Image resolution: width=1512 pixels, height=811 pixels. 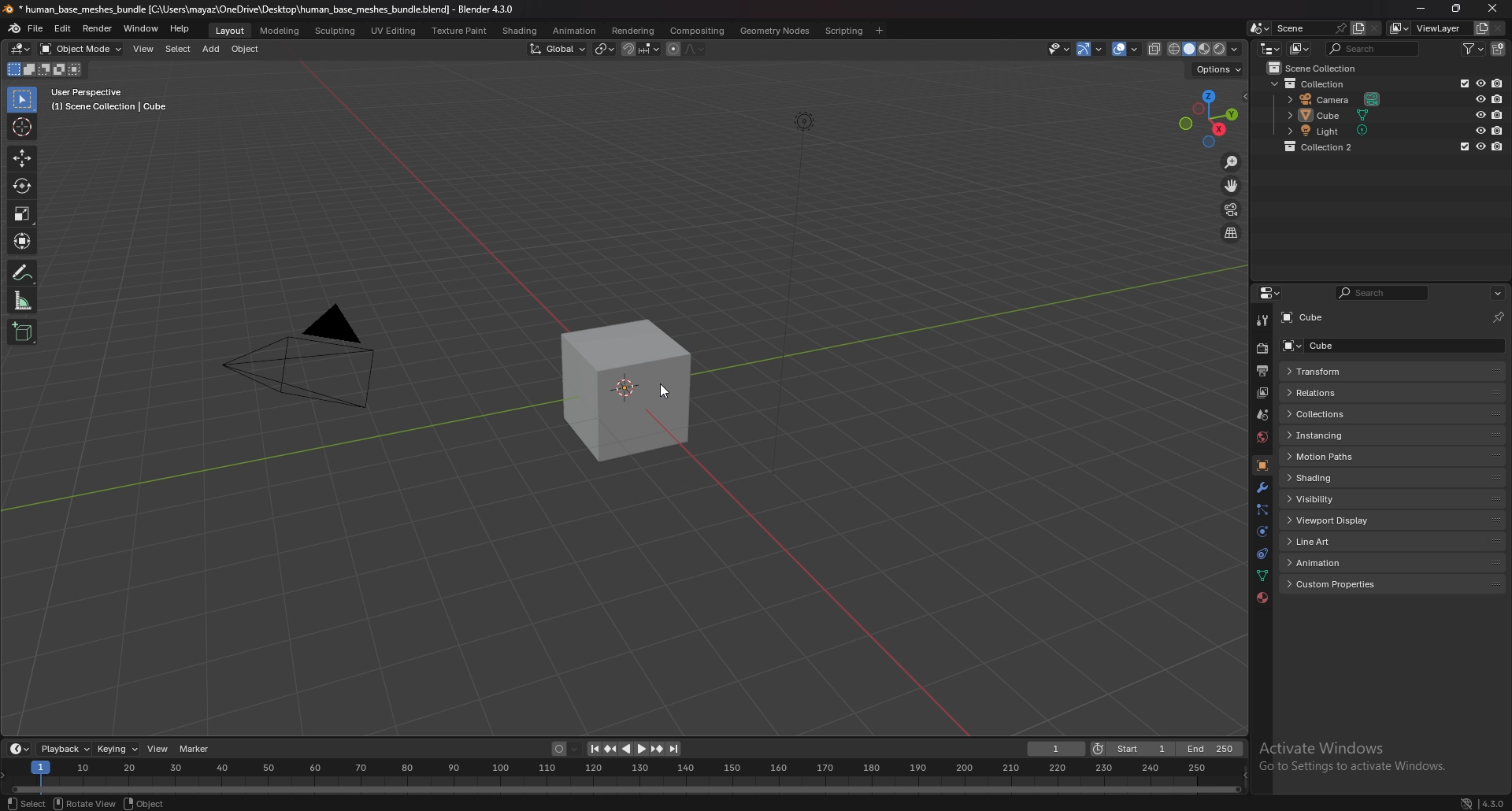 I want to click on hide in viewport, so click(x=1480, y=130).